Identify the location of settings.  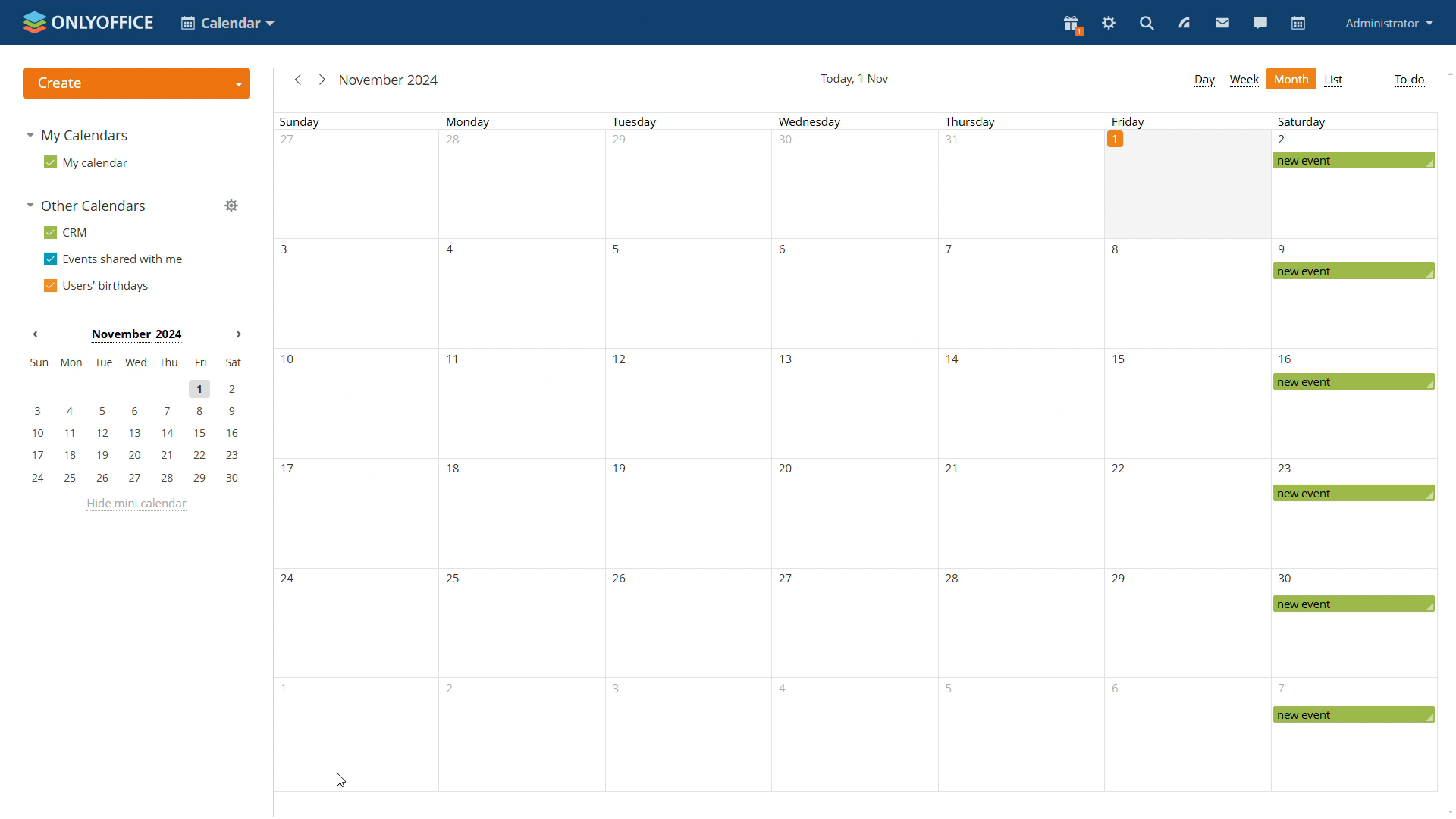
(1109, 24).